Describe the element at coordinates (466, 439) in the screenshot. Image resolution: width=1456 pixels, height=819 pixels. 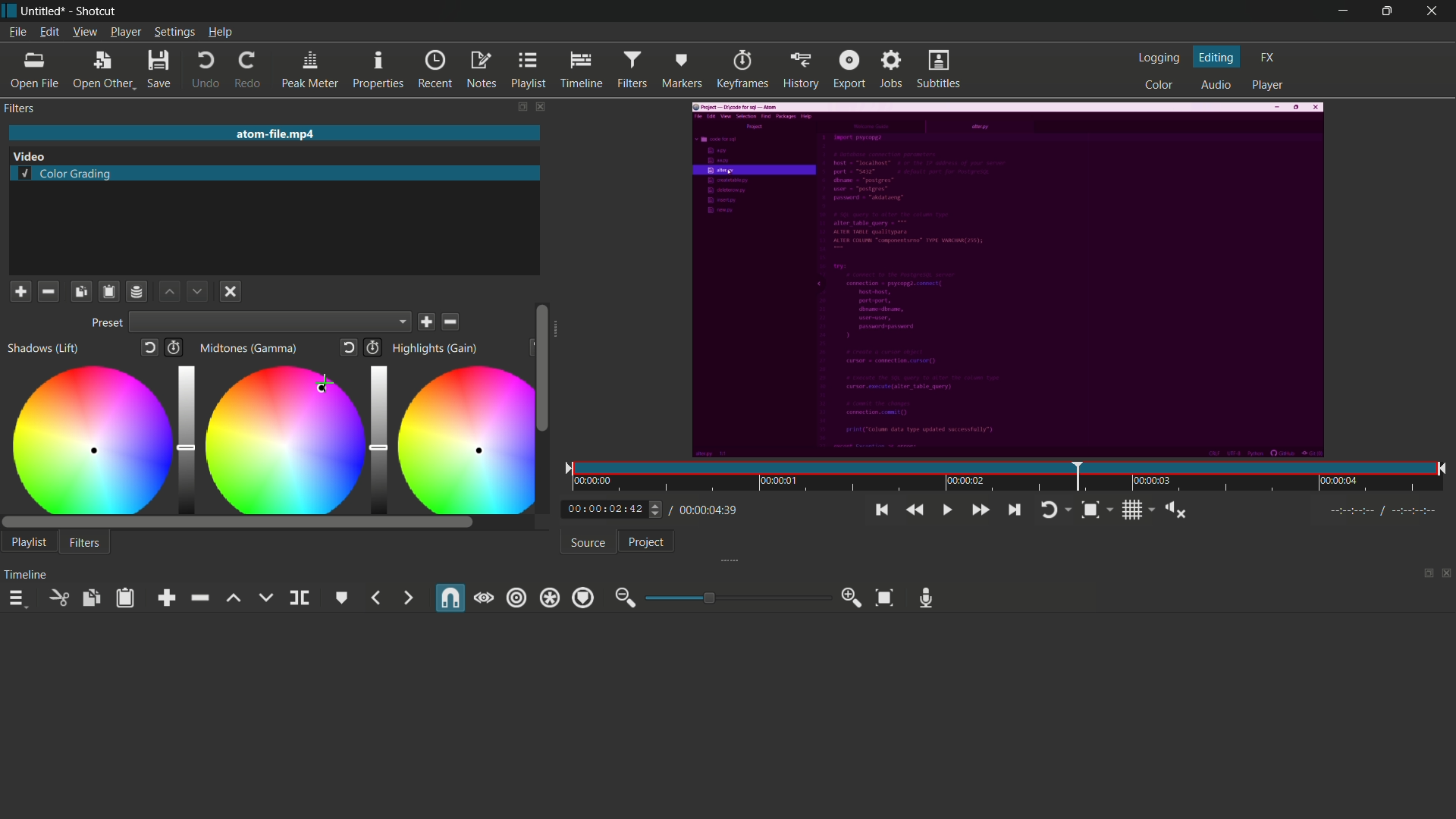
I see `adjustment circle` at that location.